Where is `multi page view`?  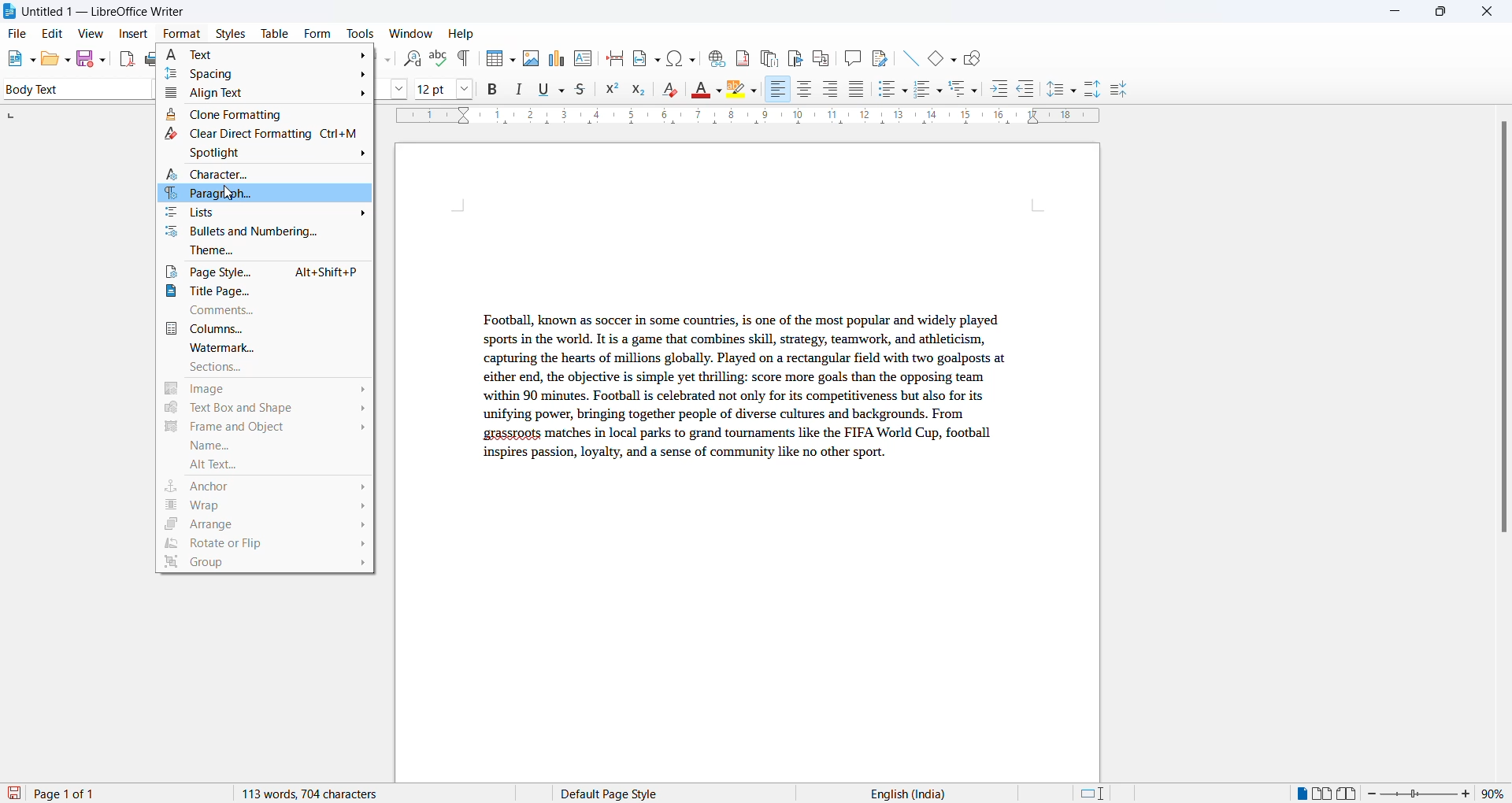
multi page view is located at coordinates (1324, 794).